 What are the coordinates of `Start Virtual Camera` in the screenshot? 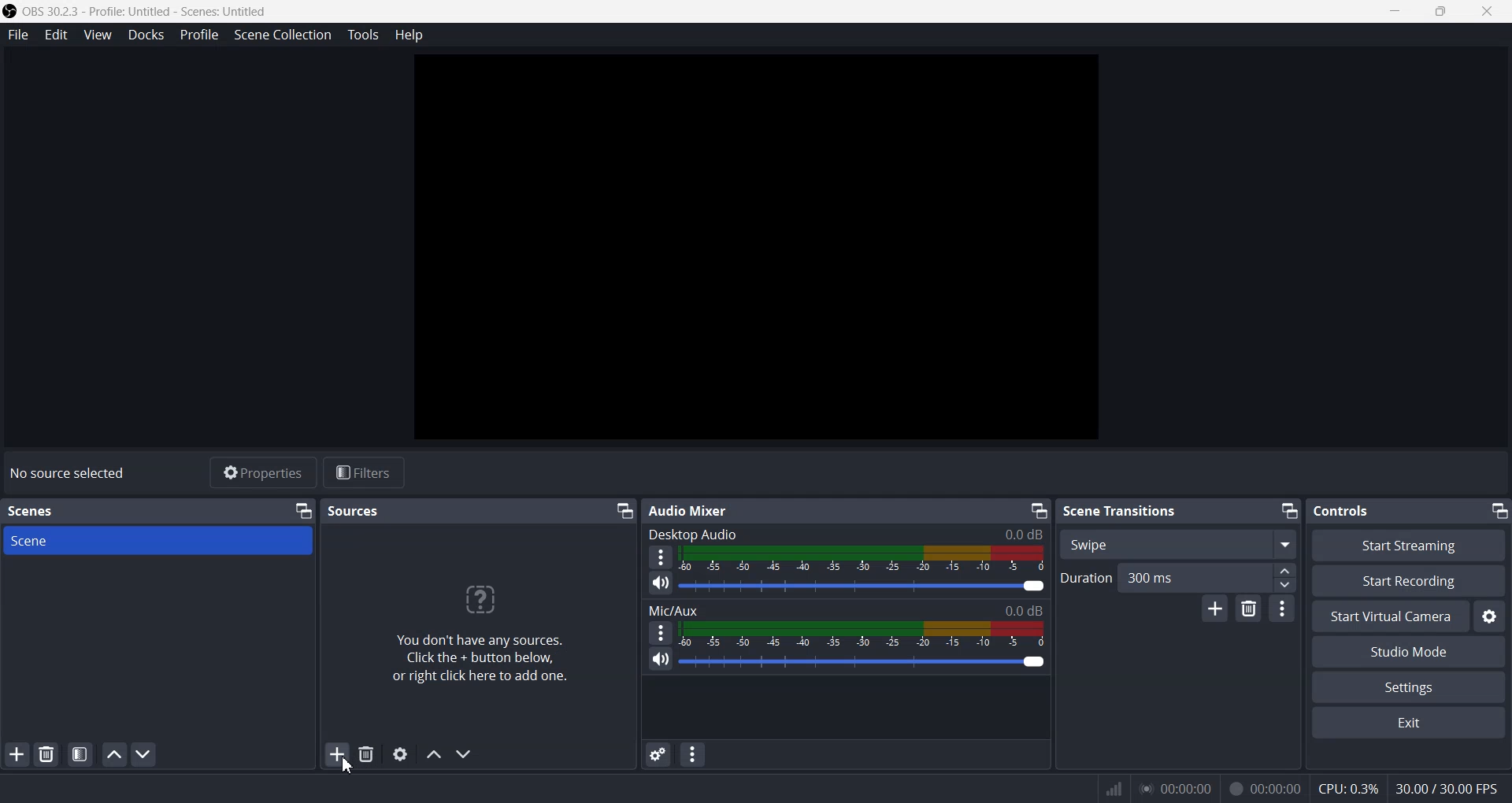 It's located at (1388, 616).